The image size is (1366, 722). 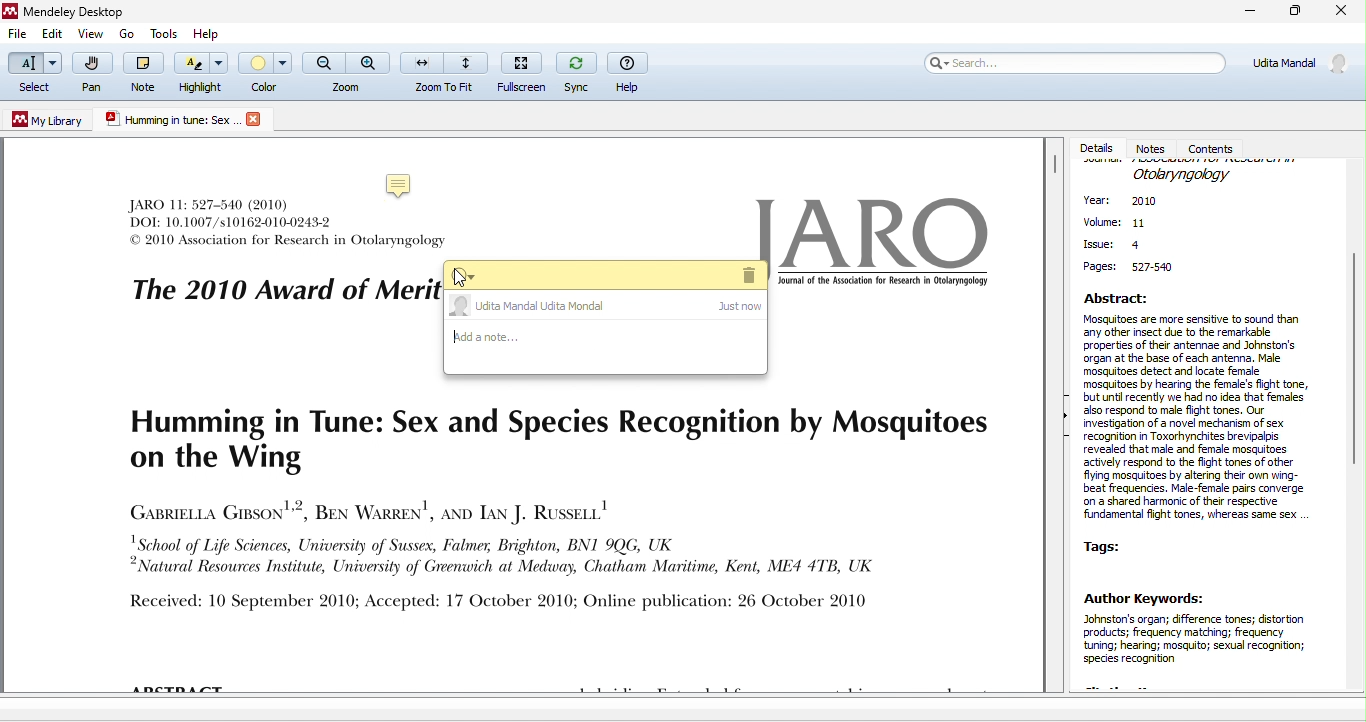 I want to click on view, so click(x=91, y=35).